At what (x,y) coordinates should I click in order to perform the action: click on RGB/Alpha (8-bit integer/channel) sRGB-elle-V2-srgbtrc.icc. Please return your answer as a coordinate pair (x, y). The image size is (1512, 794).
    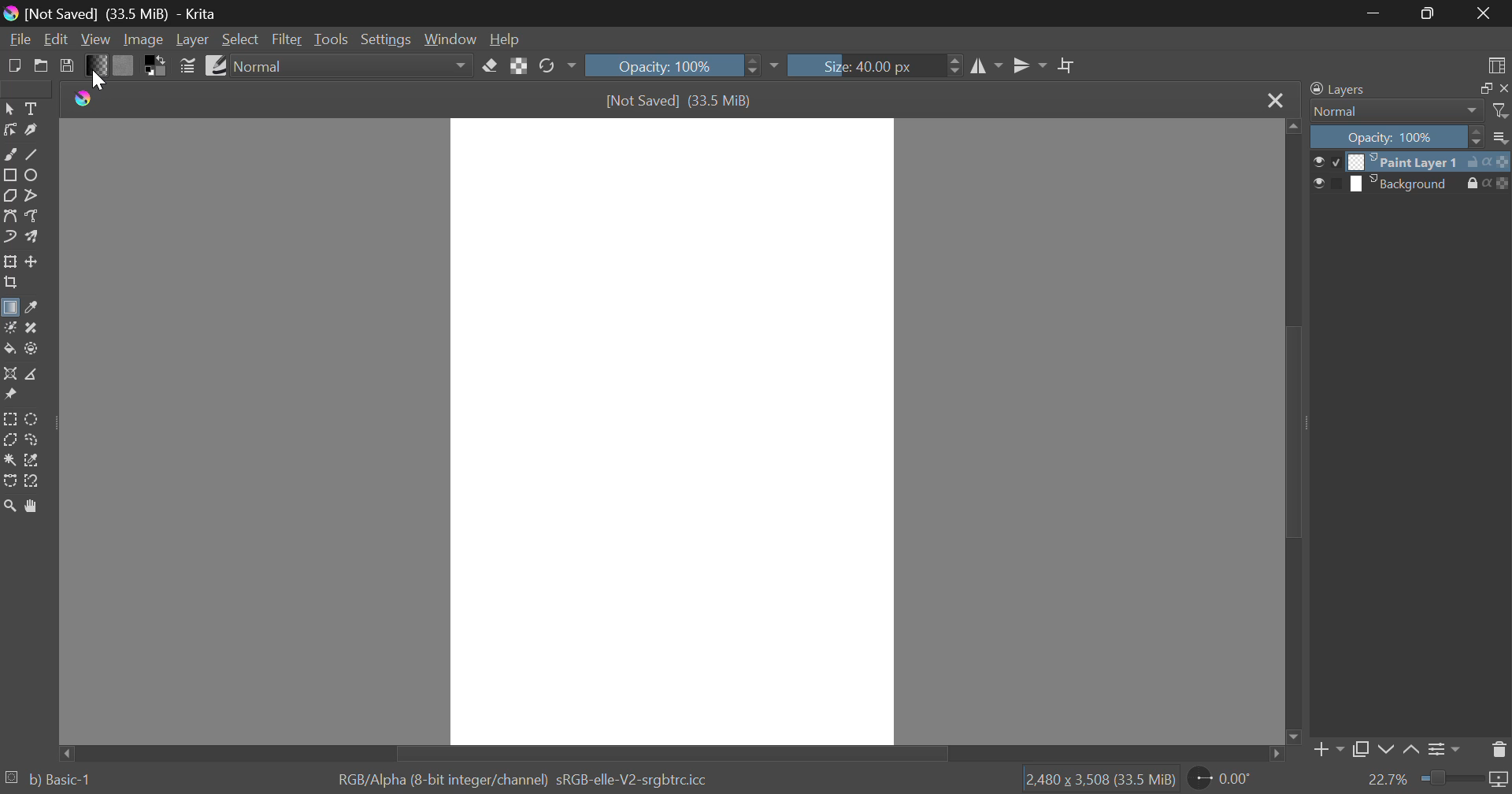
    Looking at the image, I should click on (528, 777).